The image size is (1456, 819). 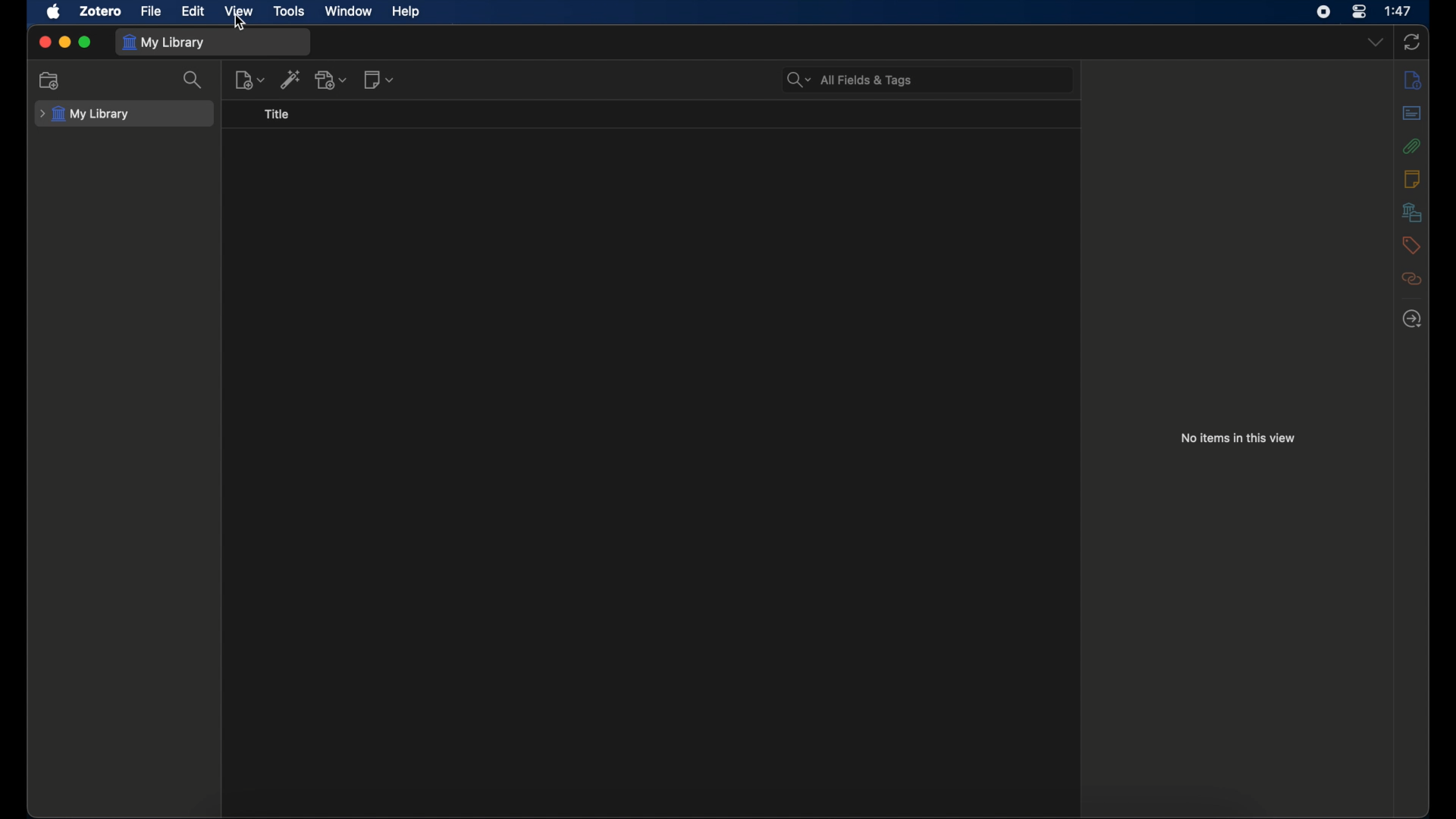 What do you see at coordinates (1238, 438) in the screenshot?
I see `no items in this view` at bounding box center [1238, 438].